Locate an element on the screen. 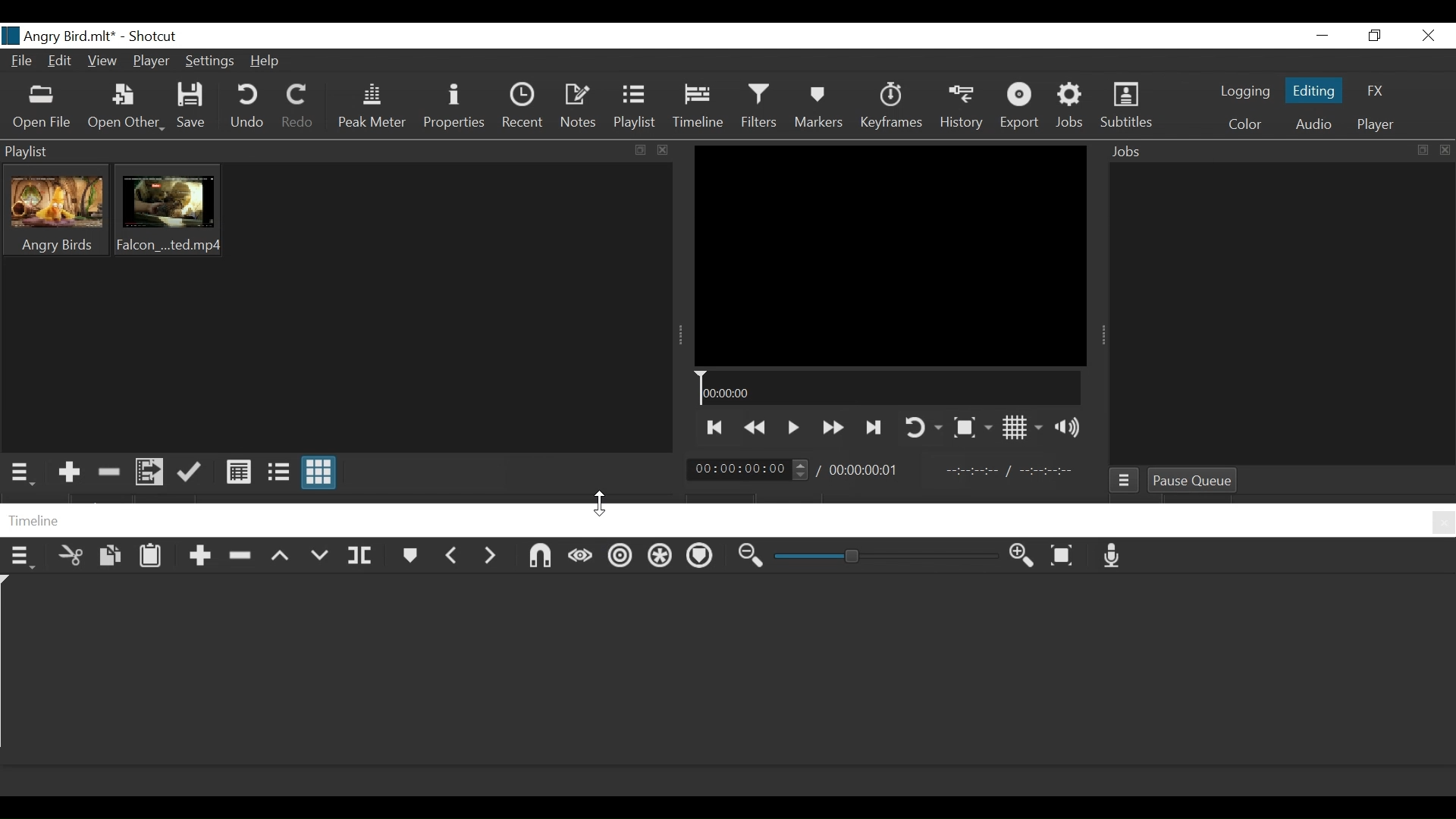 Image resolution: width=1456 pixels, height=819 pixels. Previous marker is located at coordinates (453, 560).